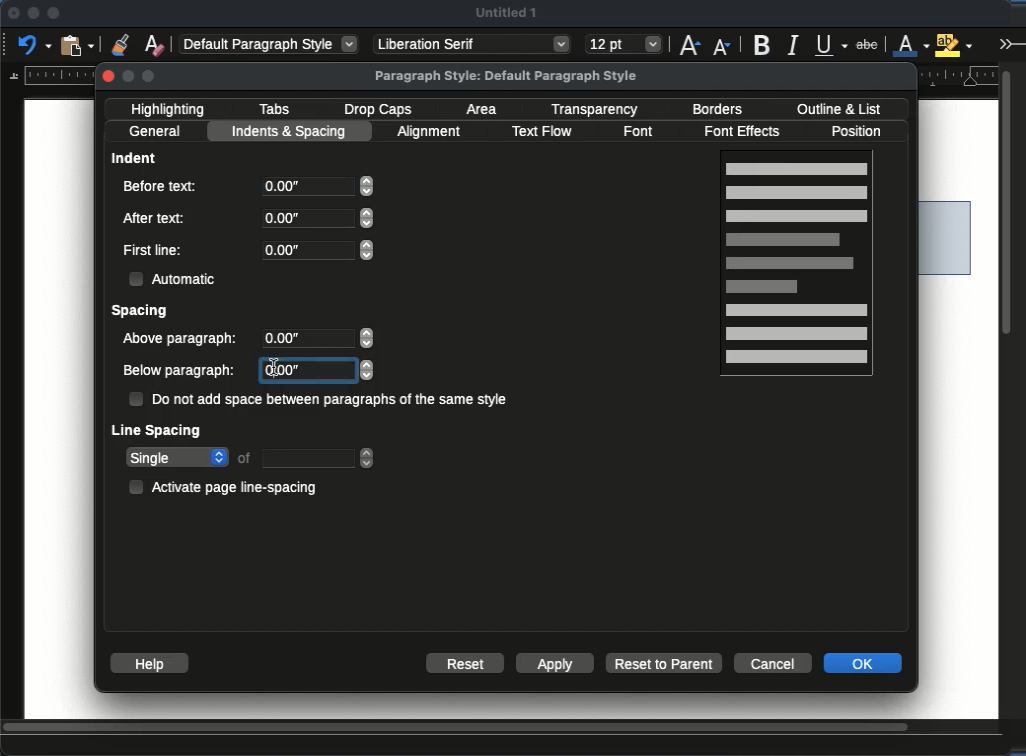 This screenshot has height=756, width=1026. I want to click on maximize , so click(53, 14).